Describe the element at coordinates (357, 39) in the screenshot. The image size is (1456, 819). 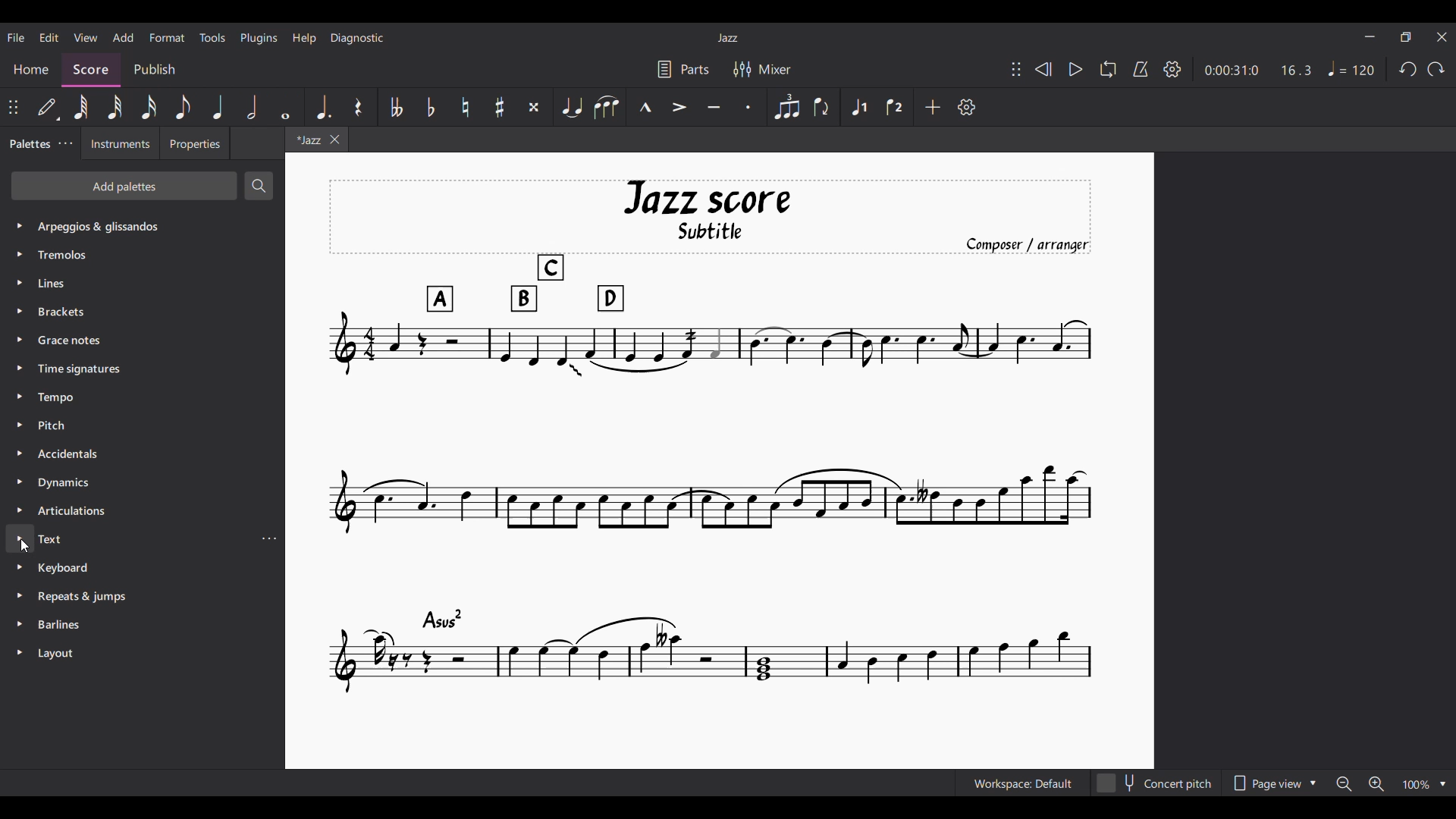
I see `Diagnostic menu` at that location.